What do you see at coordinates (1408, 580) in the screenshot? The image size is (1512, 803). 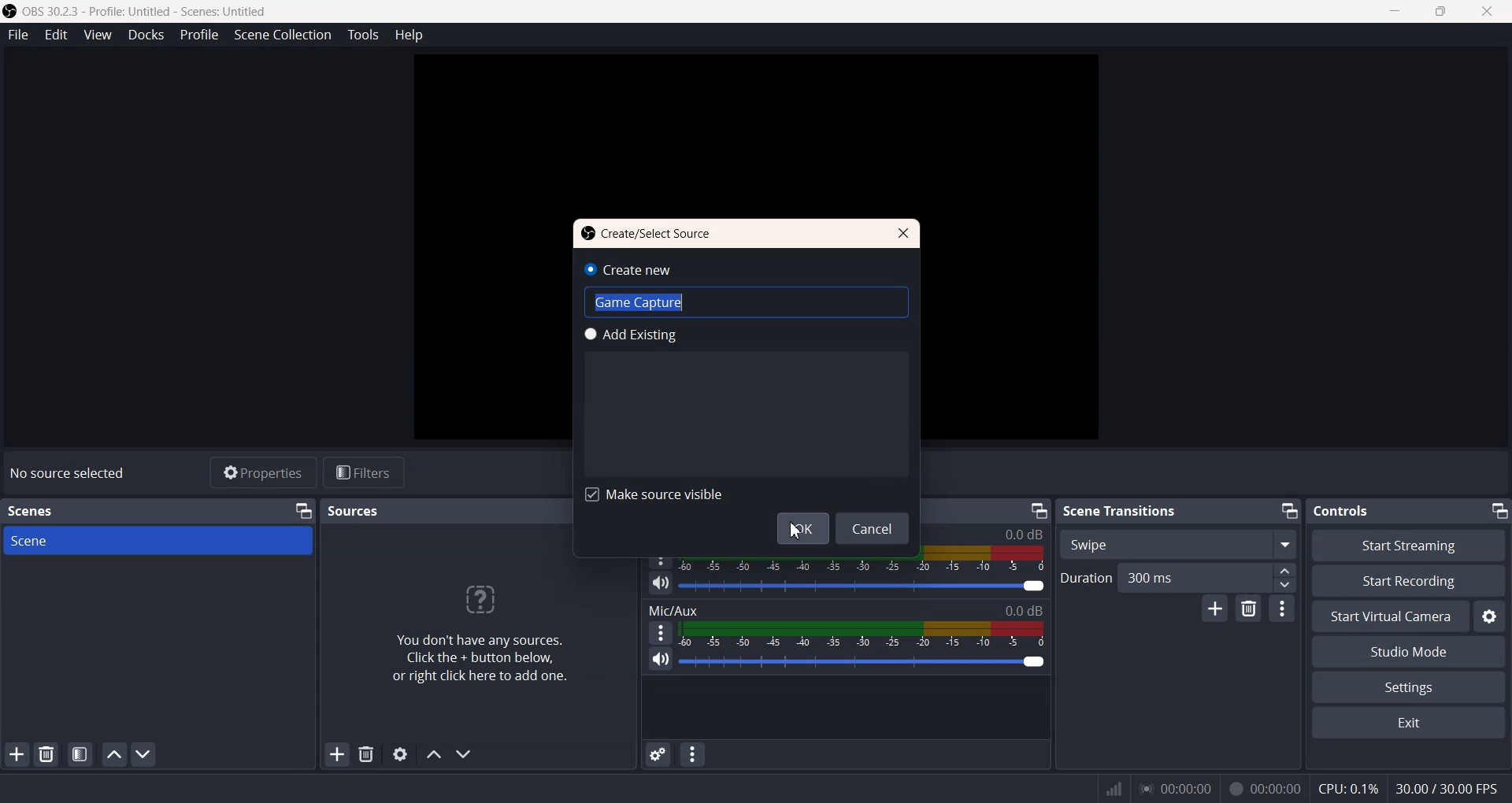 I see `Start Recording` at bounding box center [1408, 580].